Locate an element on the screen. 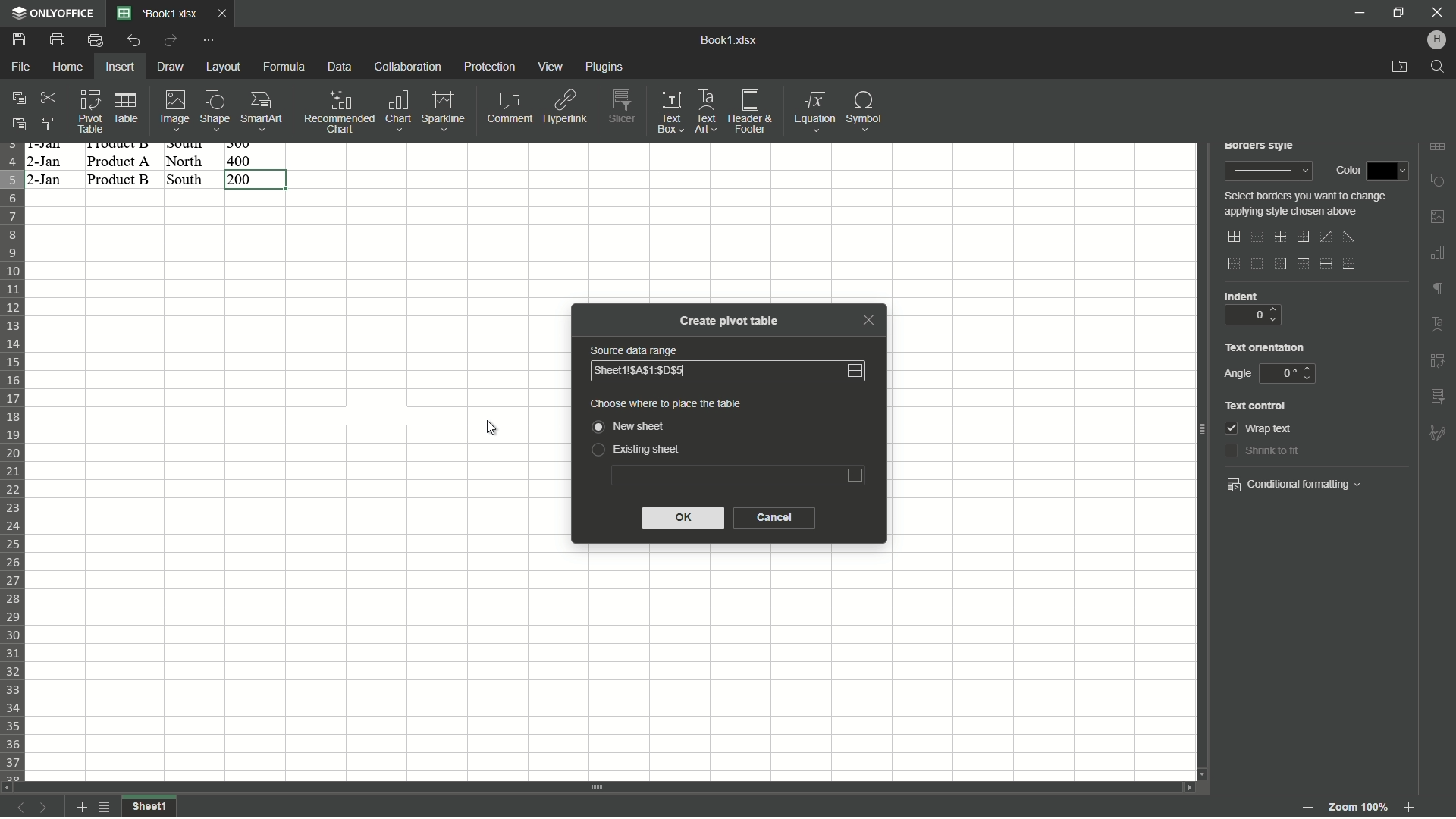 Image resolution: width=1456 pixels, height=819 pixels. Hyperlink is located at coordinates (566, 108).